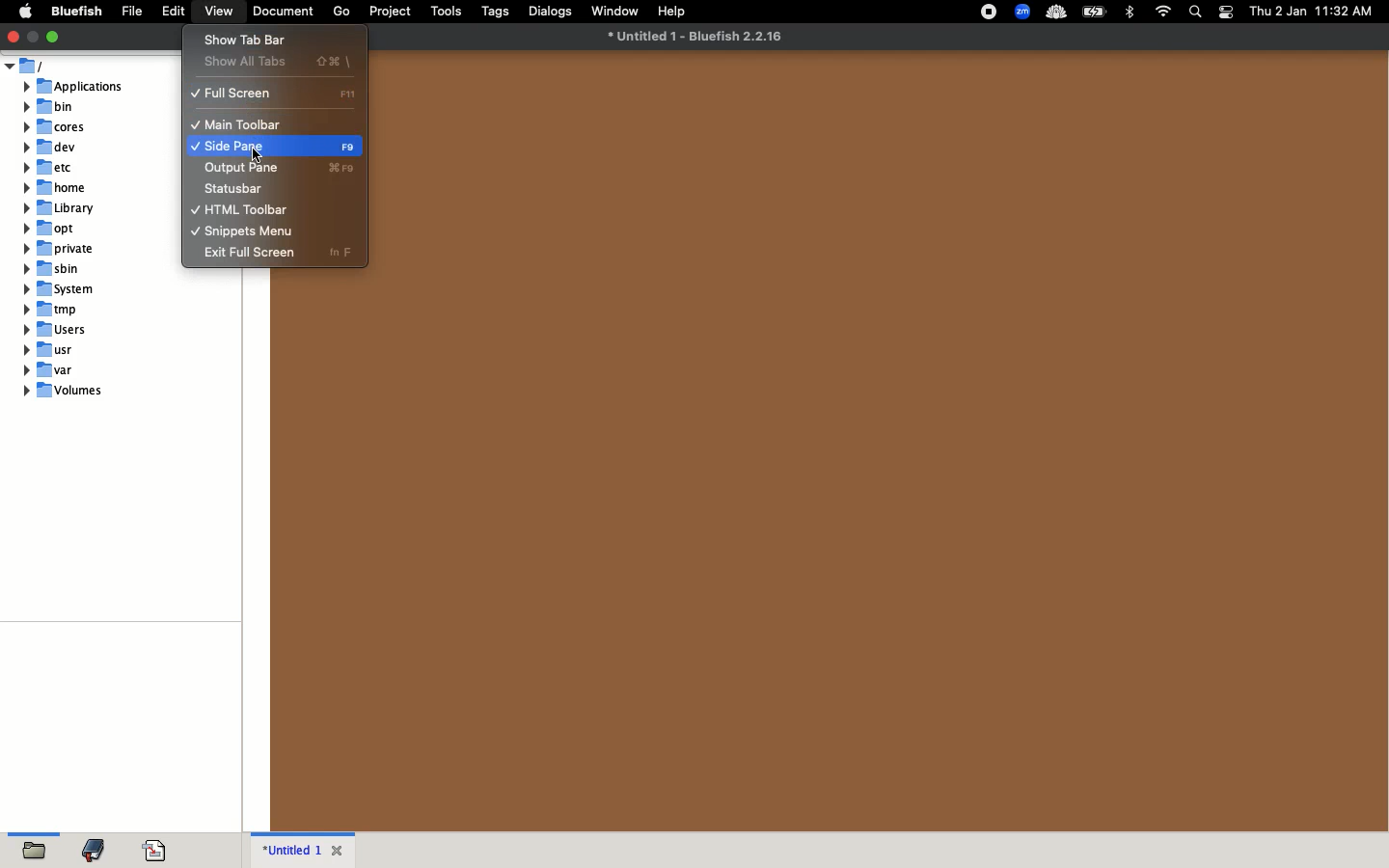 The height and width of the screenshot is (868, 1389). What do you see at coordinates (50, 148) in the screenshot?
I see `dev` at bounding box center [50, 148].